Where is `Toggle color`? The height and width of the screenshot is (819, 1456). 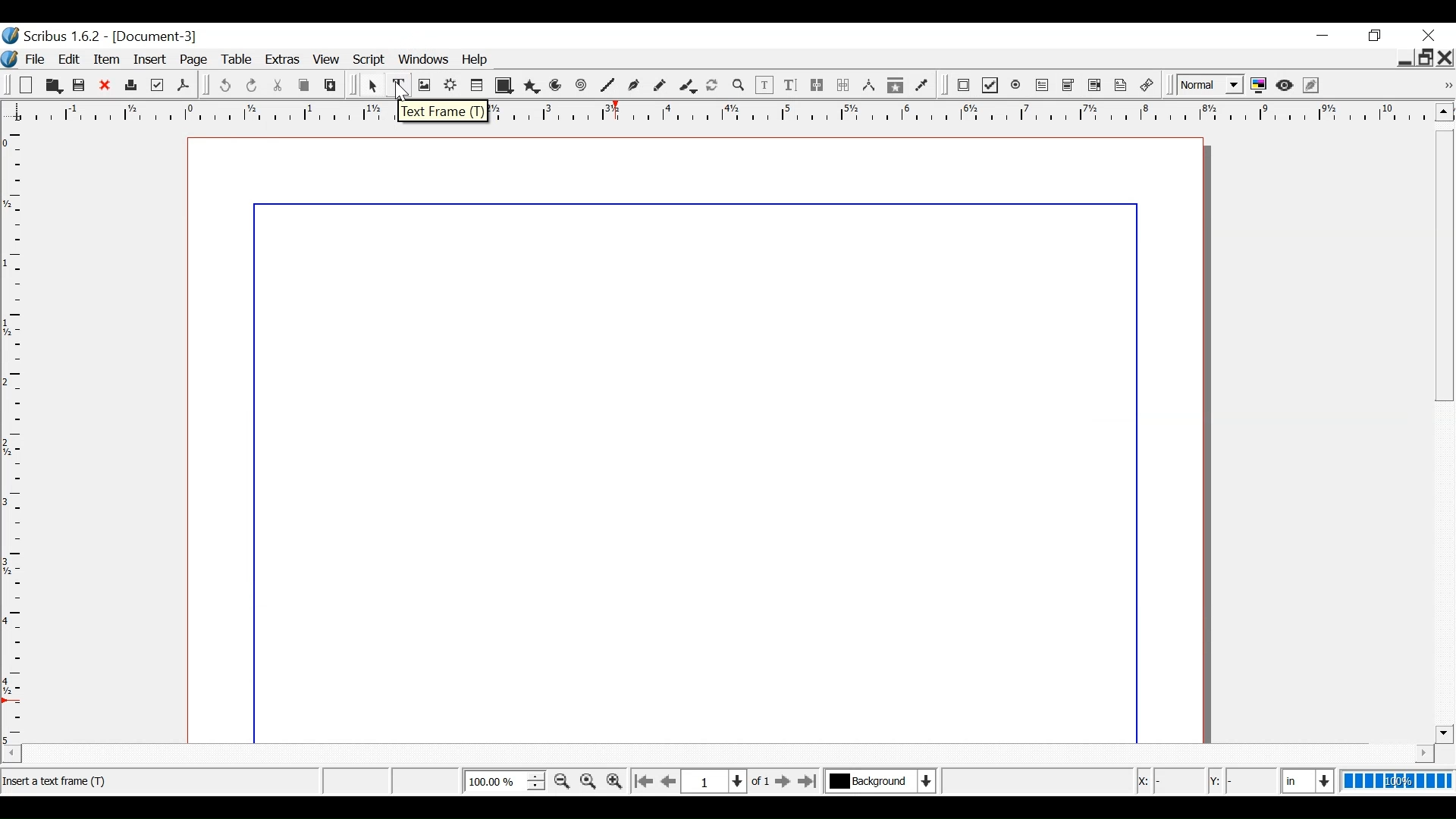
Toggle color is located at coordinates (1260, 86).